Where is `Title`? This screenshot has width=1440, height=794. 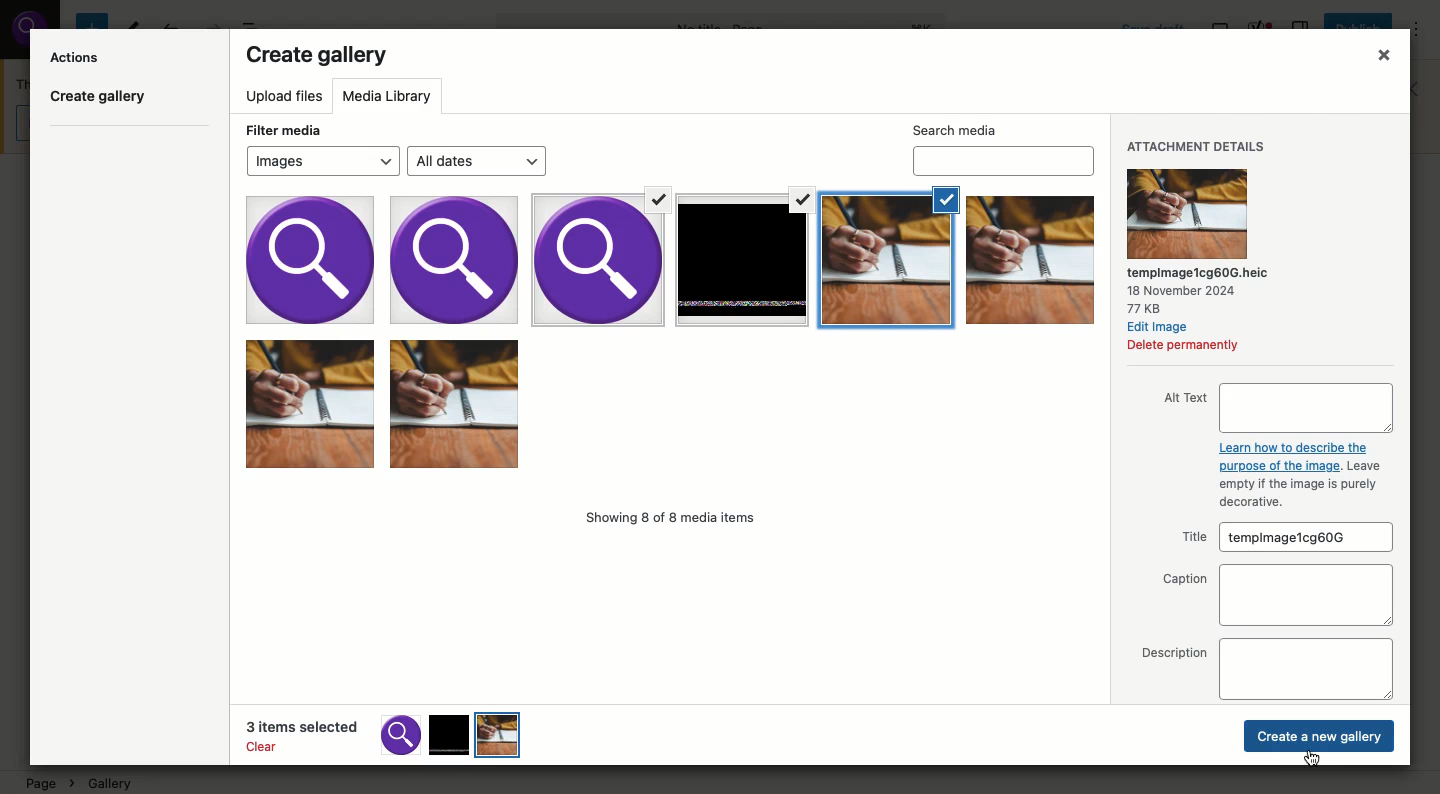
Title is located at coordinates (1183, 542).